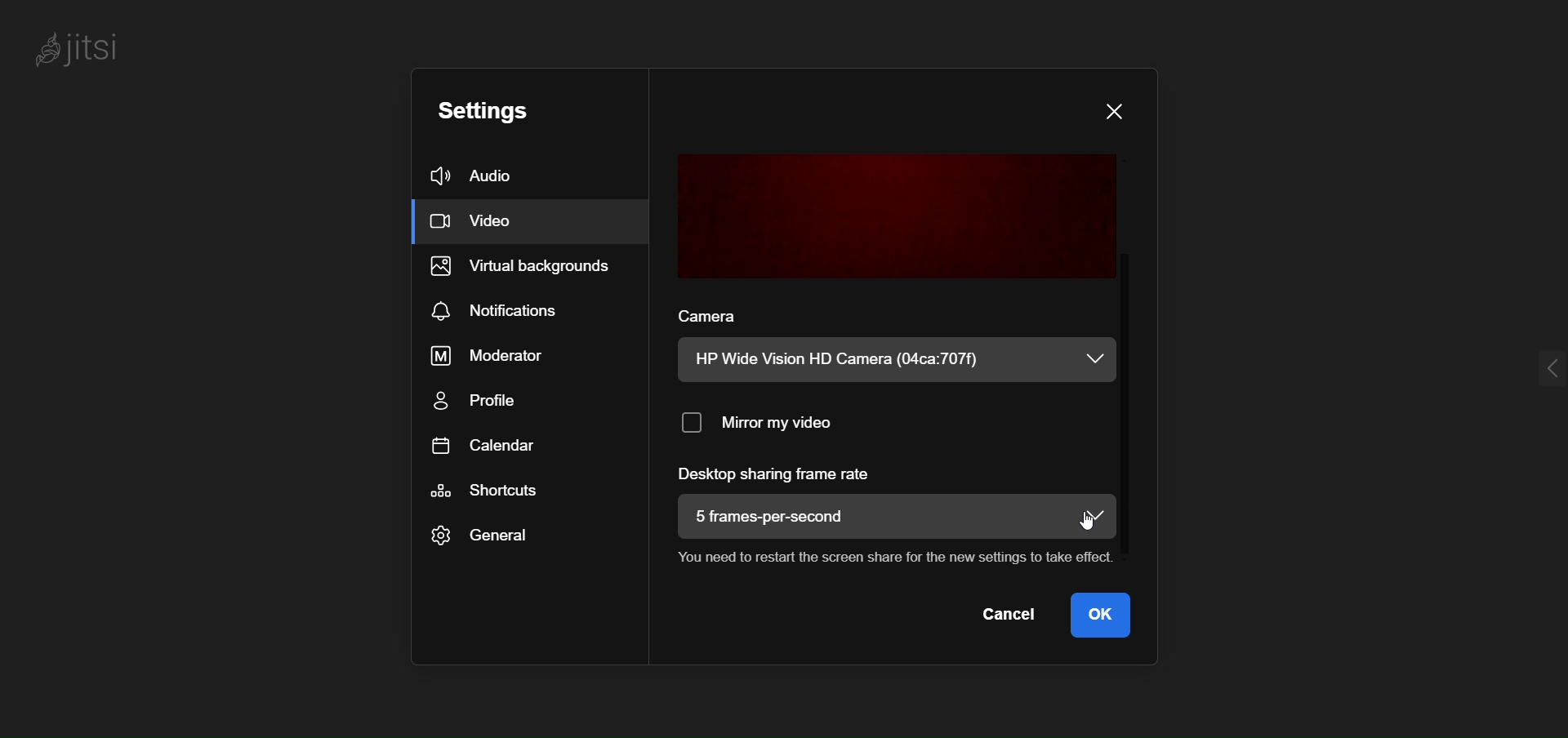 This screenshot has width=1568, height=738. I want to click on calendar, so click(479, 445).